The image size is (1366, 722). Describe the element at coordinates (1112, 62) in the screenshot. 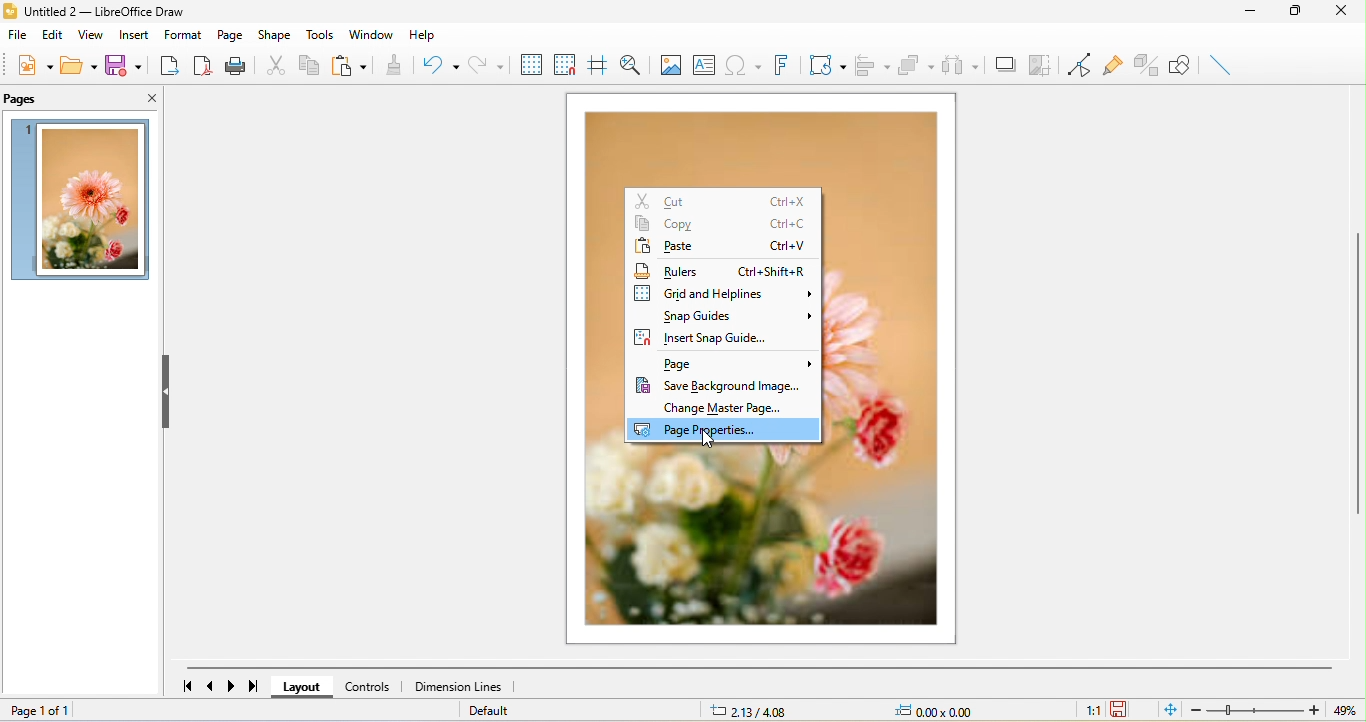

I see `glue point function` at that location.